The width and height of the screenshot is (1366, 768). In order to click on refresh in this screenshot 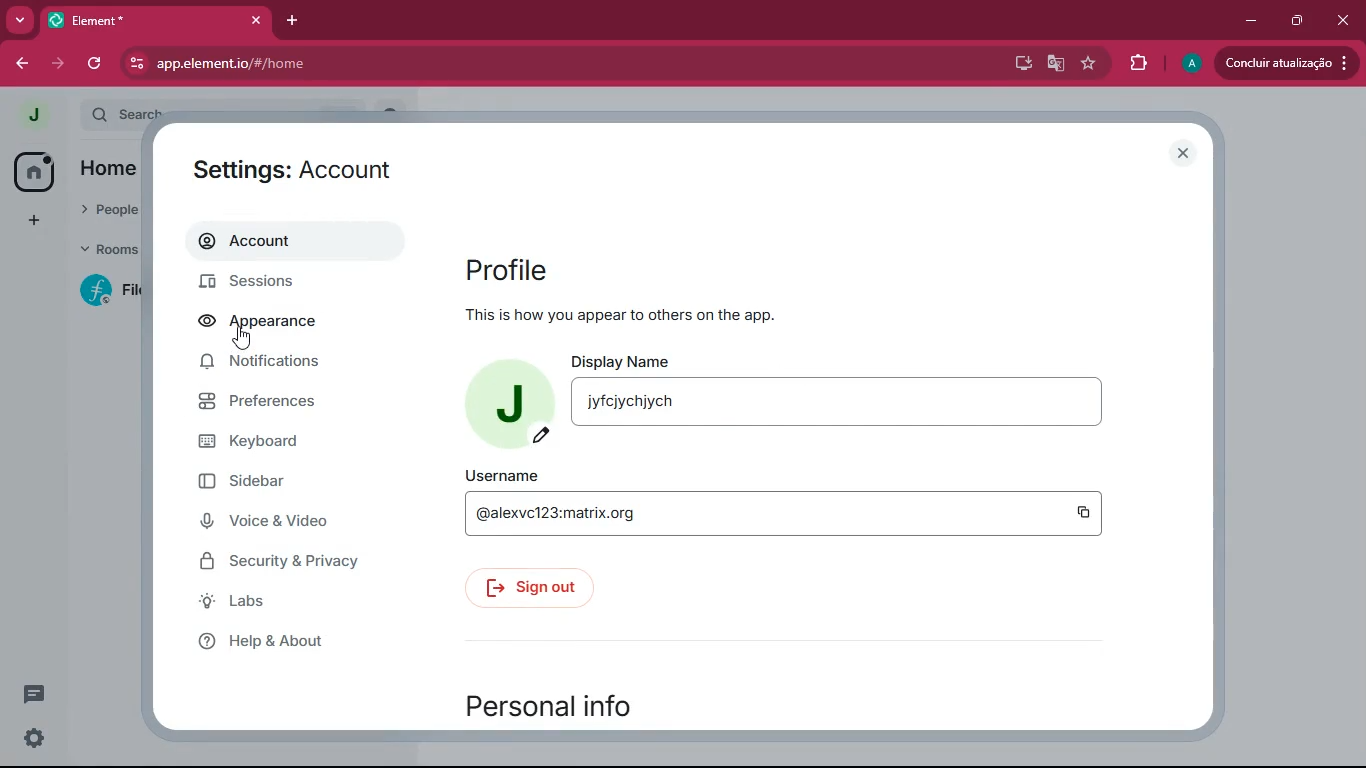, I will do `click(97, 66)`.